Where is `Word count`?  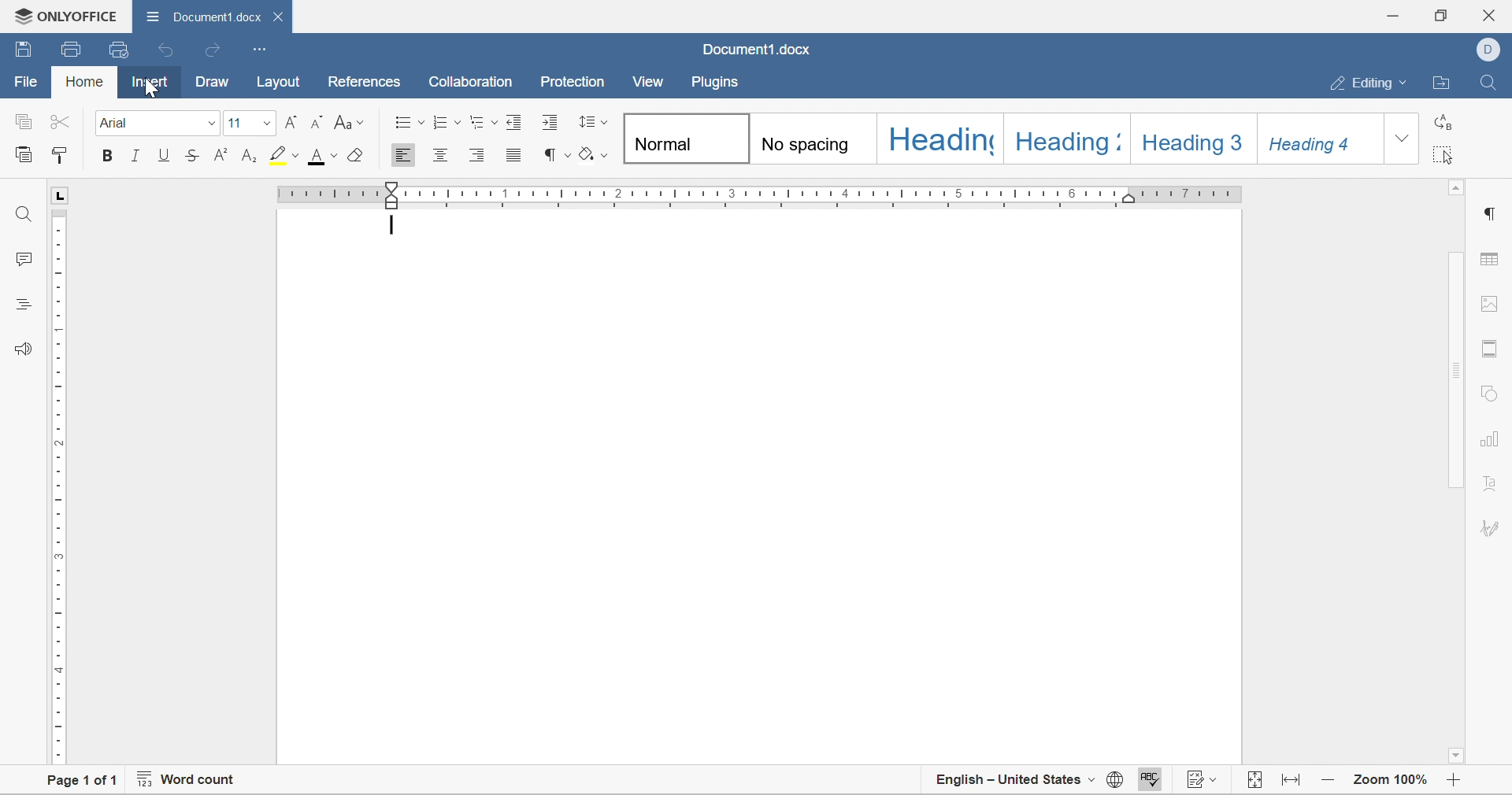 Word count is located at coordinates (187, 782).